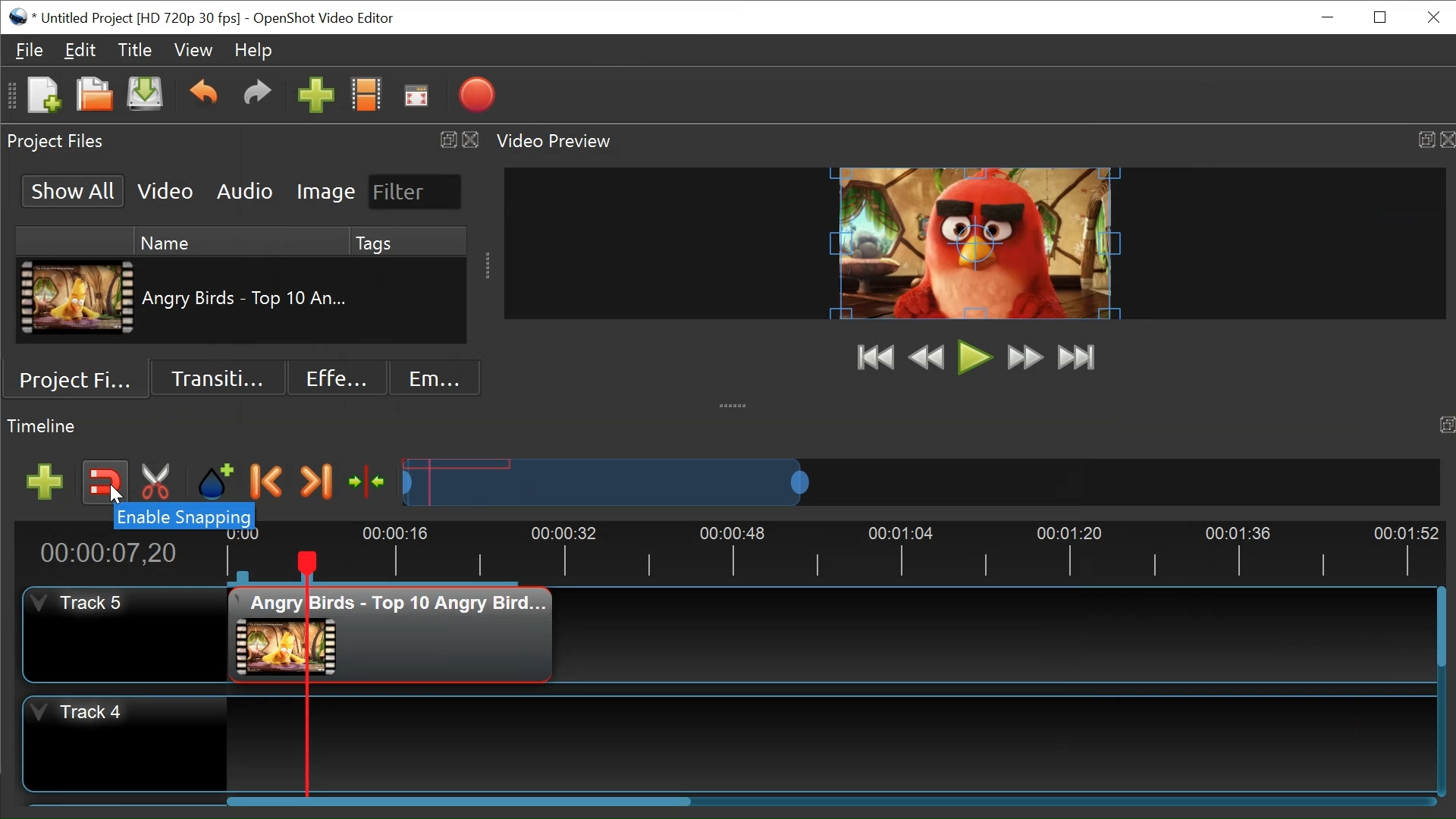 The image size is (1456, 819). Describe the element at coordinates (1378, 17) in the screenshot. I see `Restore` at that location.